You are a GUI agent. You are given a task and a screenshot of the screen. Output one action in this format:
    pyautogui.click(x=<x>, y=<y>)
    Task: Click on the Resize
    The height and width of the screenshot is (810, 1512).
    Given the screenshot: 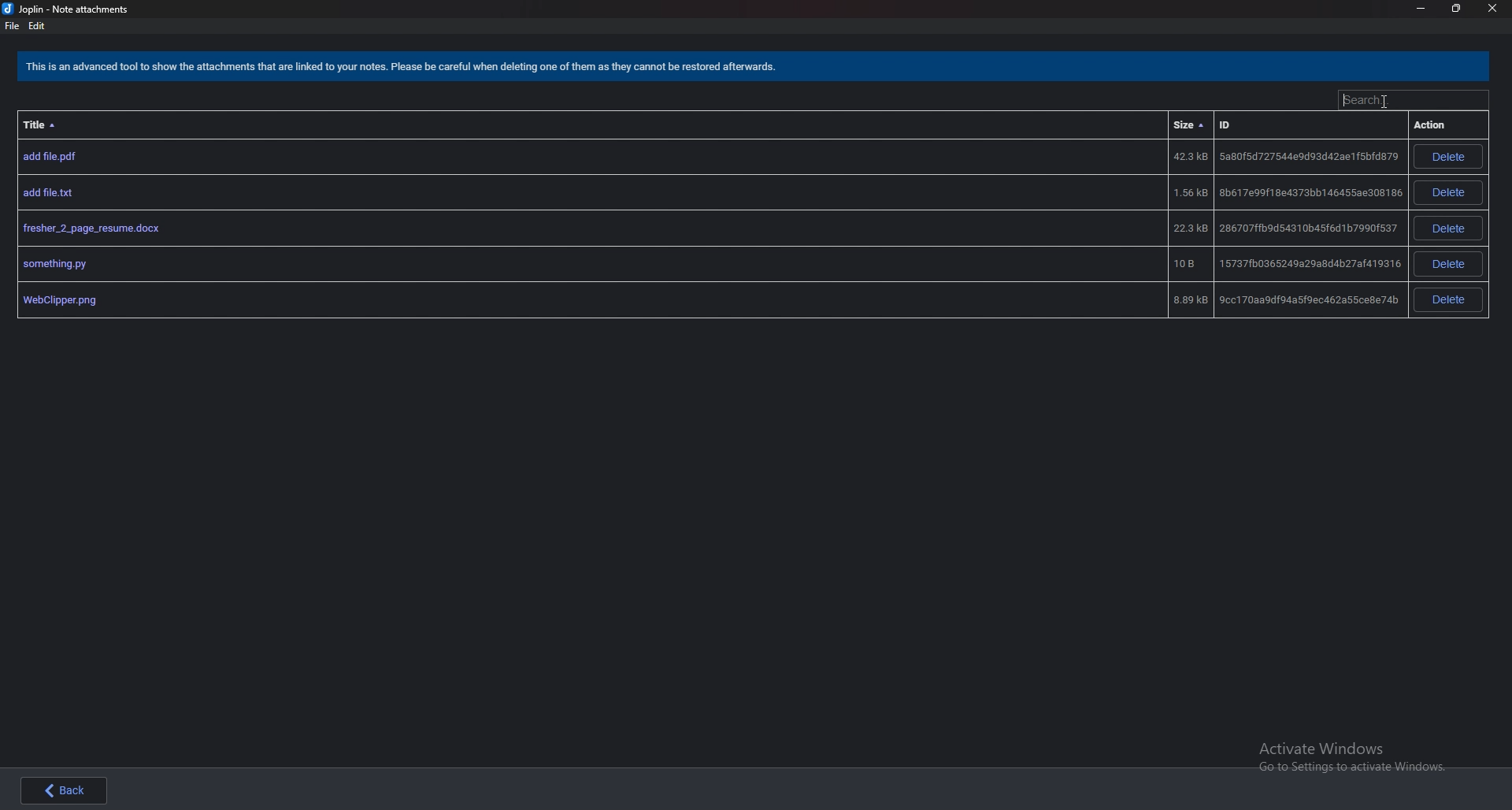 What is the action you would take?
    pyautogui.click(x=1455, y=8)
    